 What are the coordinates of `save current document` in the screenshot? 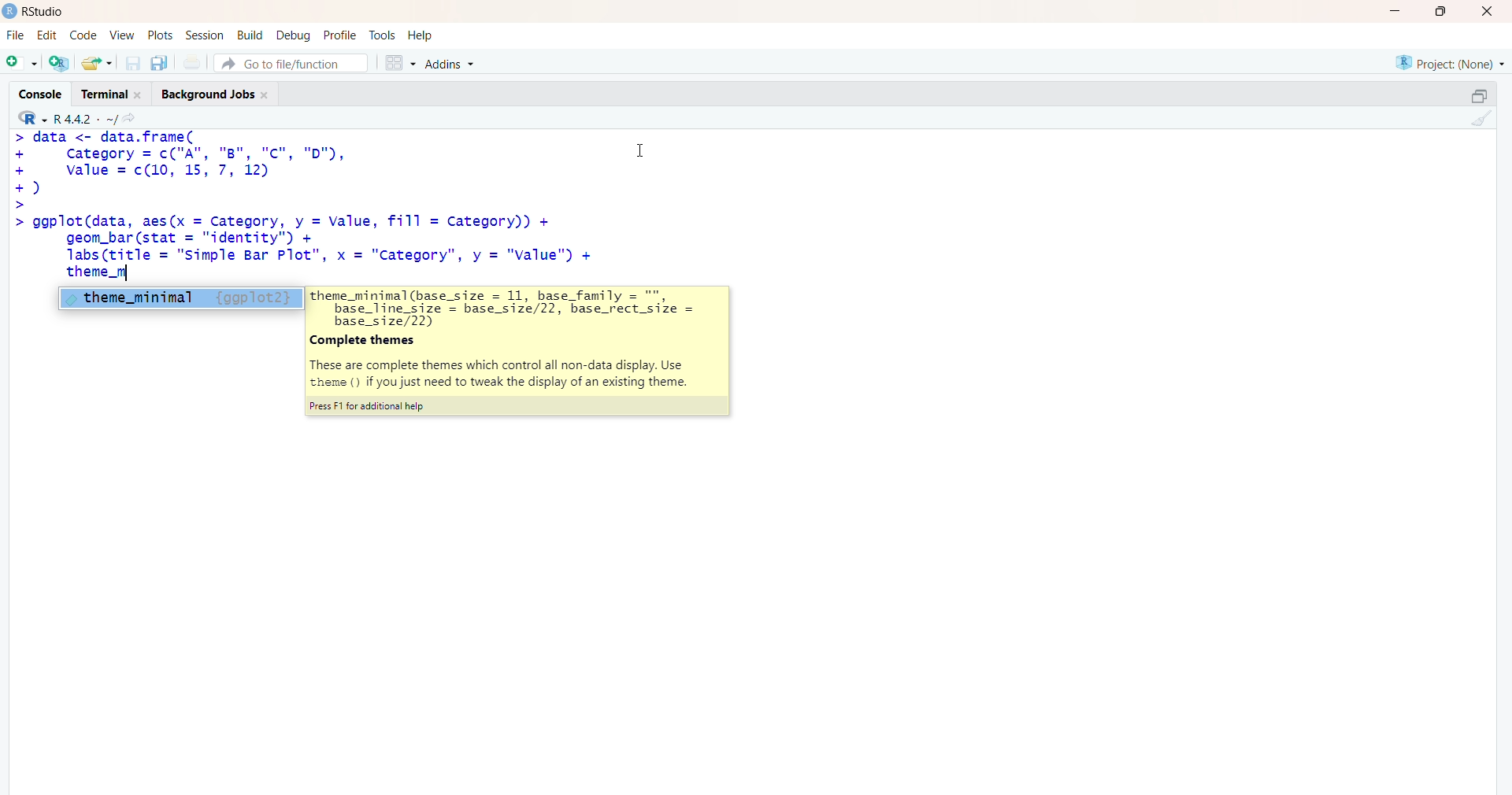 It's located at (132, 63).